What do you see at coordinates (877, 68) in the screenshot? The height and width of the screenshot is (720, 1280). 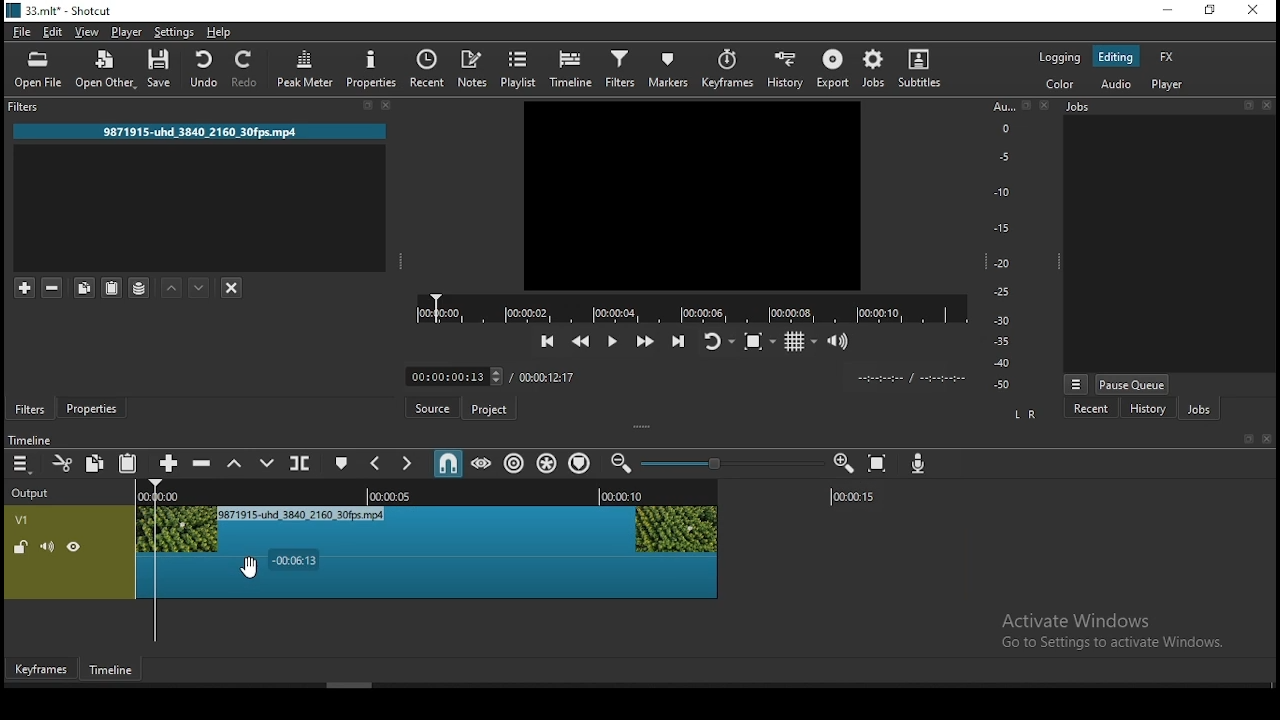 I see `jobs` at bounding box center [877, 68].